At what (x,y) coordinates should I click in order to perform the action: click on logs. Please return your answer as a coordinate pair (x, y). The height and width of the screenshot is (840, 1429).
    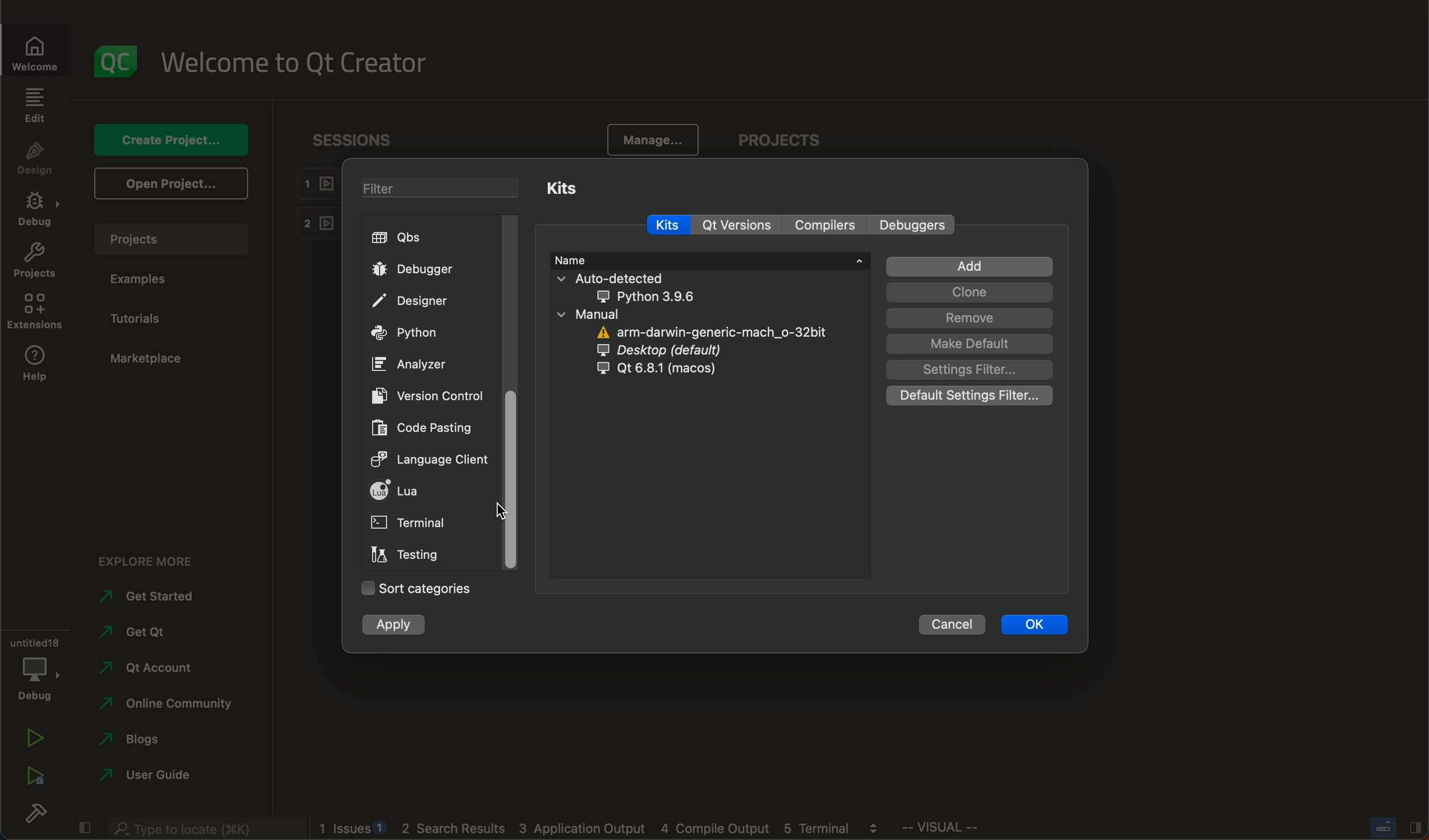
    Looking at the image, I should click on (605, 830).